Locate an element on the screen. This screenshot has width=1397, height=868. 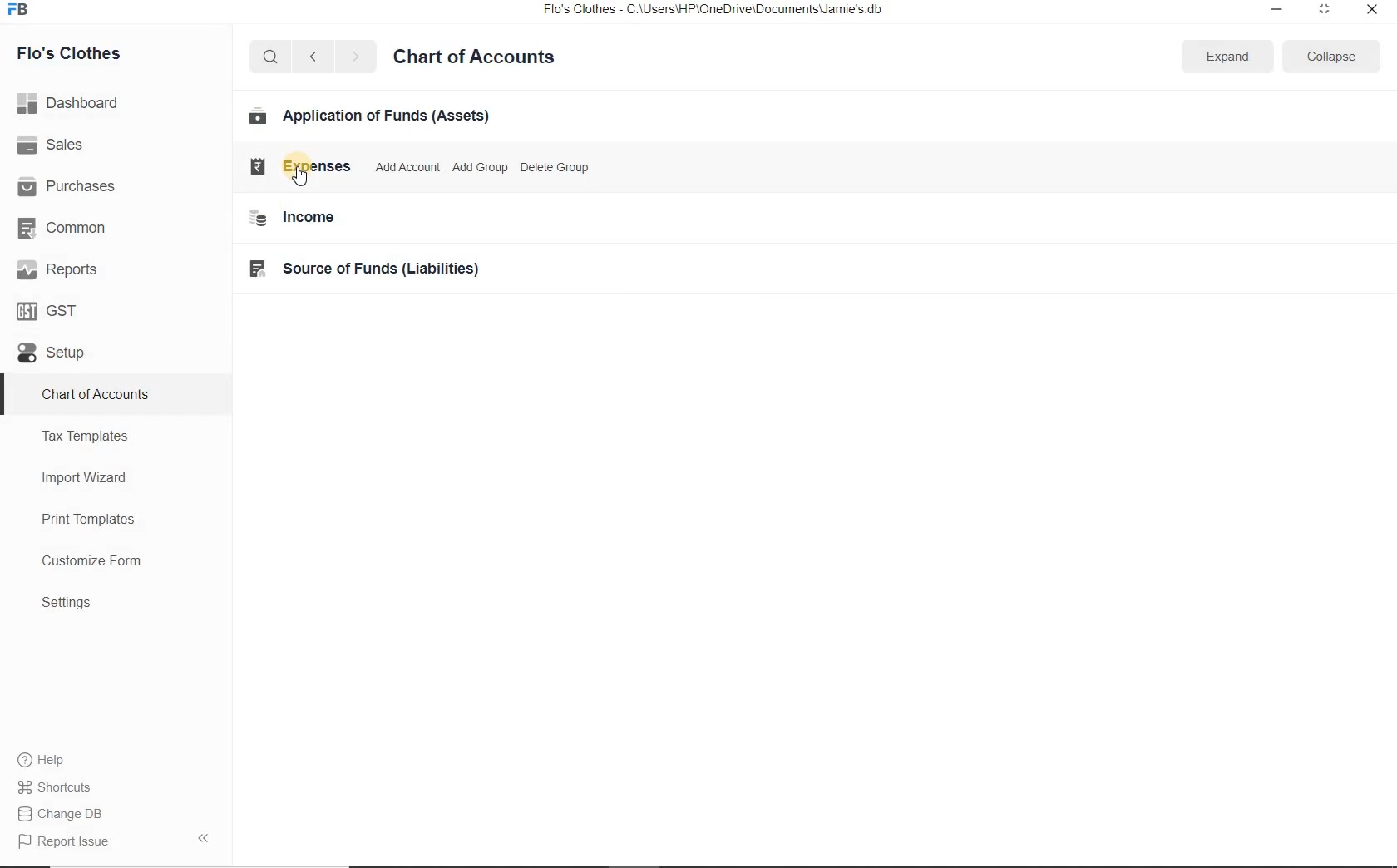
previous is located at coordinates (312, 57).